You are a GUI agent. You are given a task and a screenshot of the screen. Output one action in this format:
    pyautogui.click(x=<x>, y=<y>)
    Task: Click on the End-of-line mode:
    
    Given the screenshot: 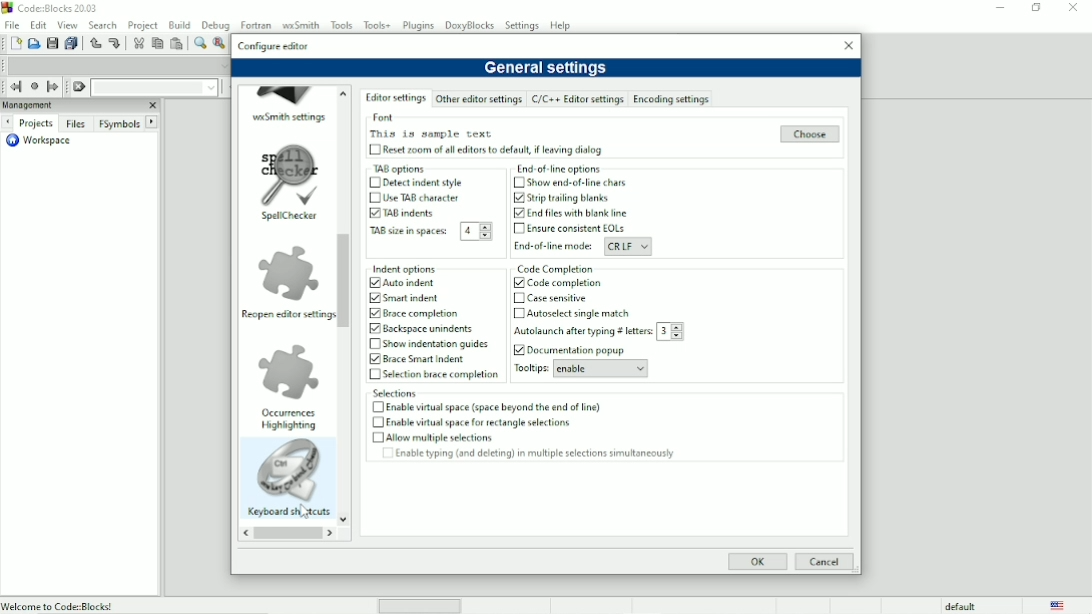 What is the action you would take?
    pyautogui.click(x=550, y=246)
    